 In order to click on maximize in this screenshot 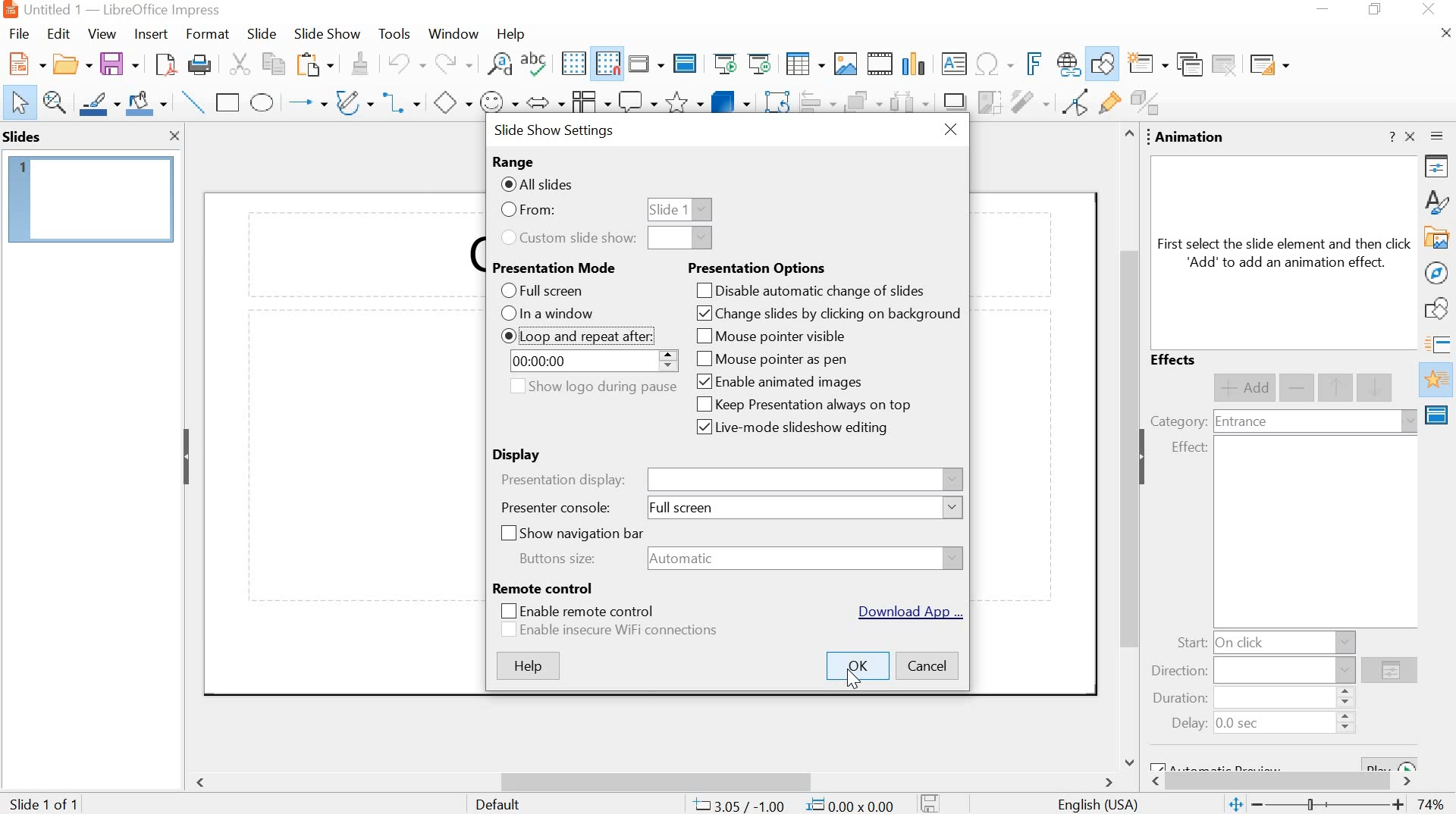, I will do `click(1378, 11)`.